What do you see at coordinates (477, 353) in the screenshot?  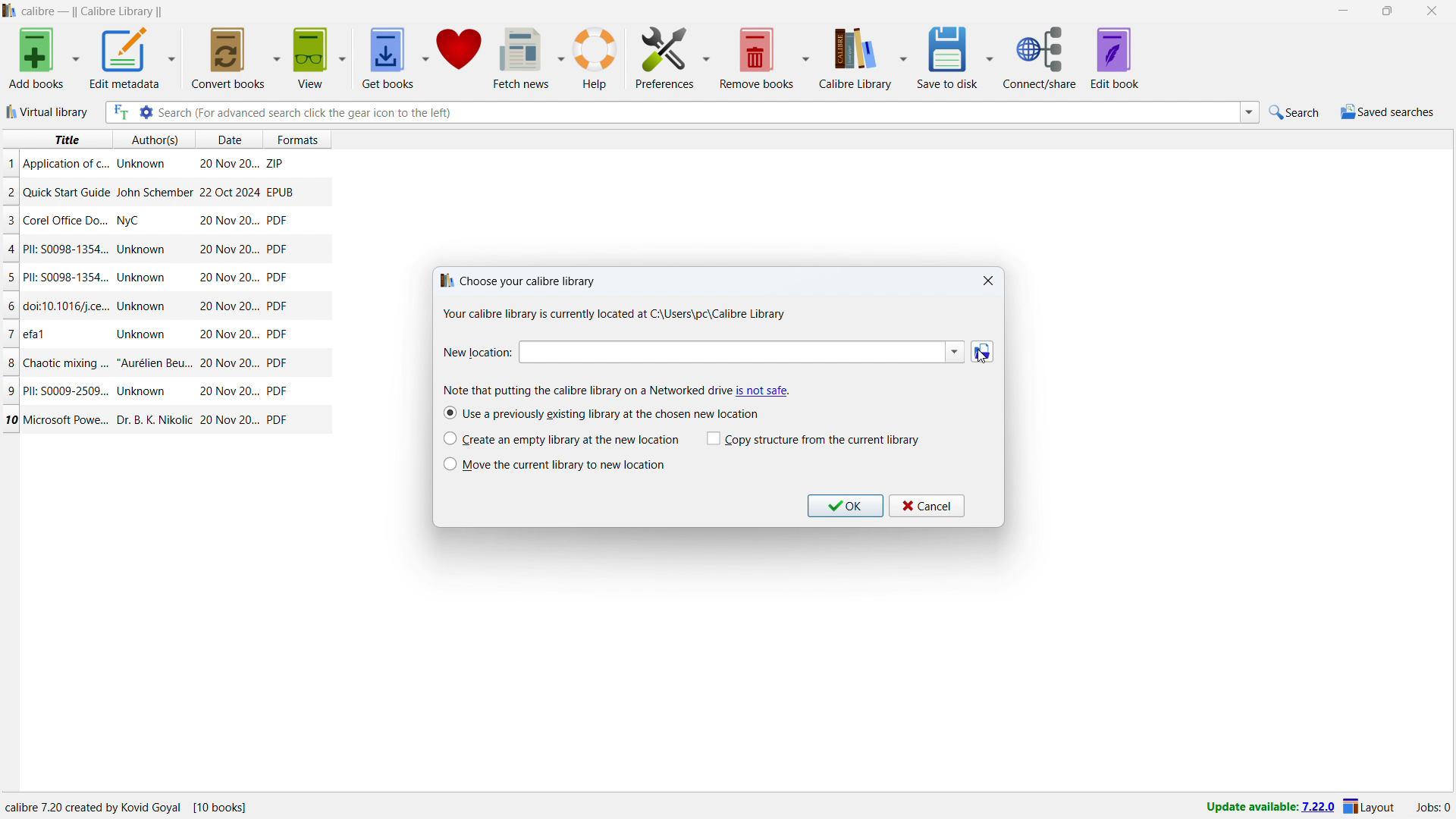 I see `New location` at bounding box center [477, 353].